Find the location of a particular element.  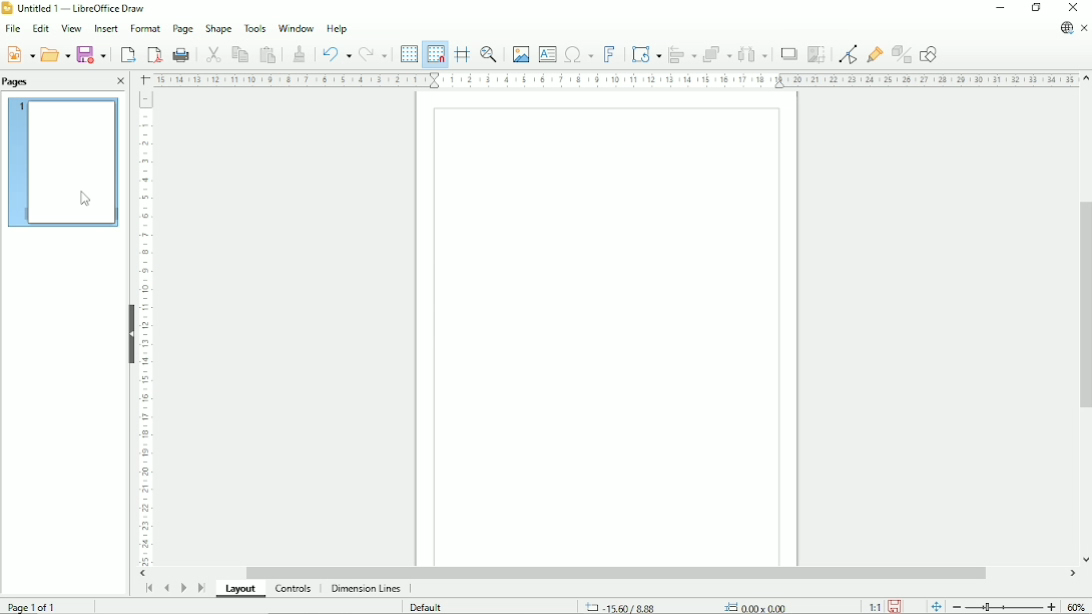

Dimension lines is located at coordinates (365, 589).